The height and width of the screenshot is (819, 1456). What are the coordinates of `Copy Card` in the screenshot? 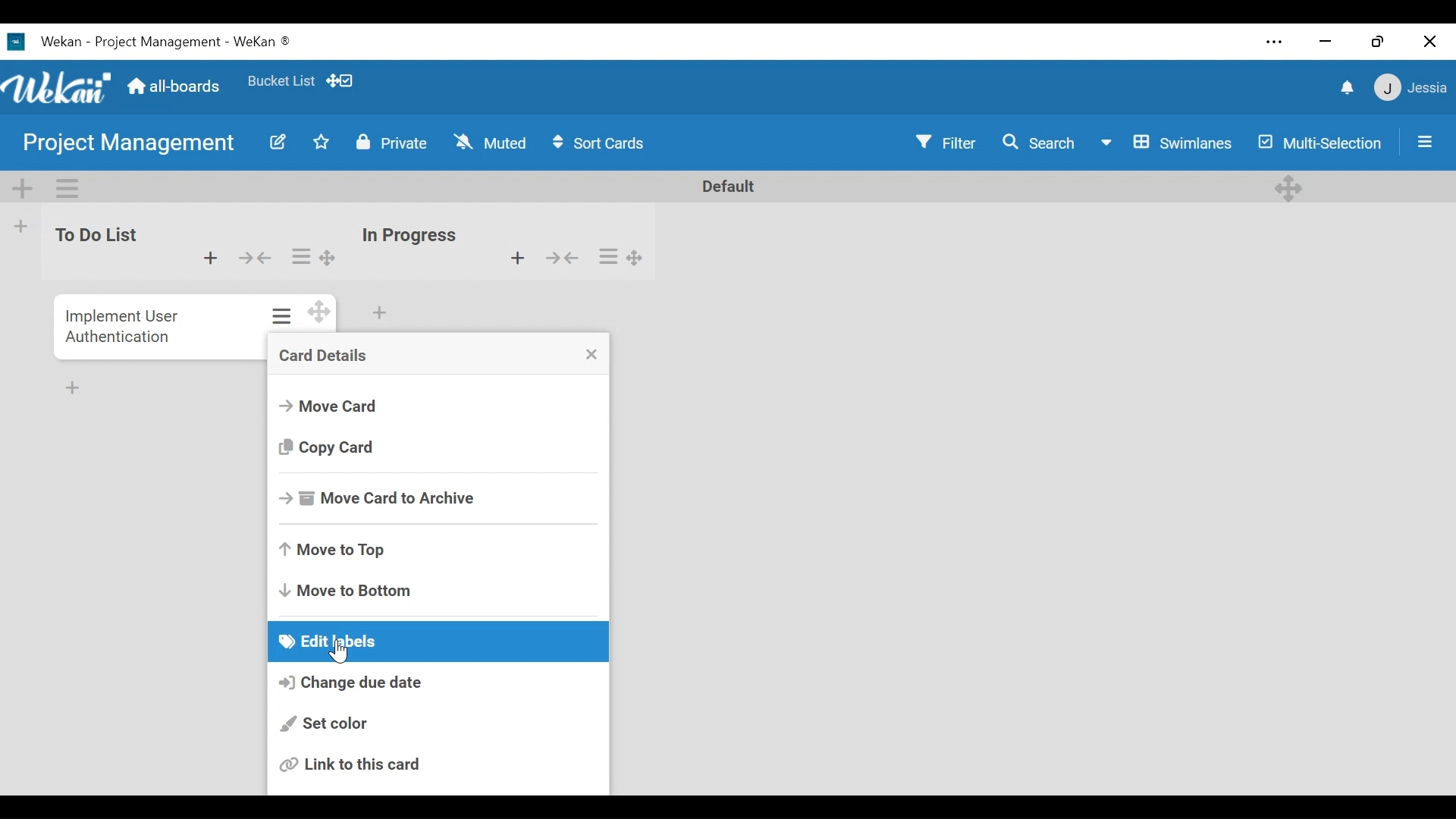 It's located at (331, 447).